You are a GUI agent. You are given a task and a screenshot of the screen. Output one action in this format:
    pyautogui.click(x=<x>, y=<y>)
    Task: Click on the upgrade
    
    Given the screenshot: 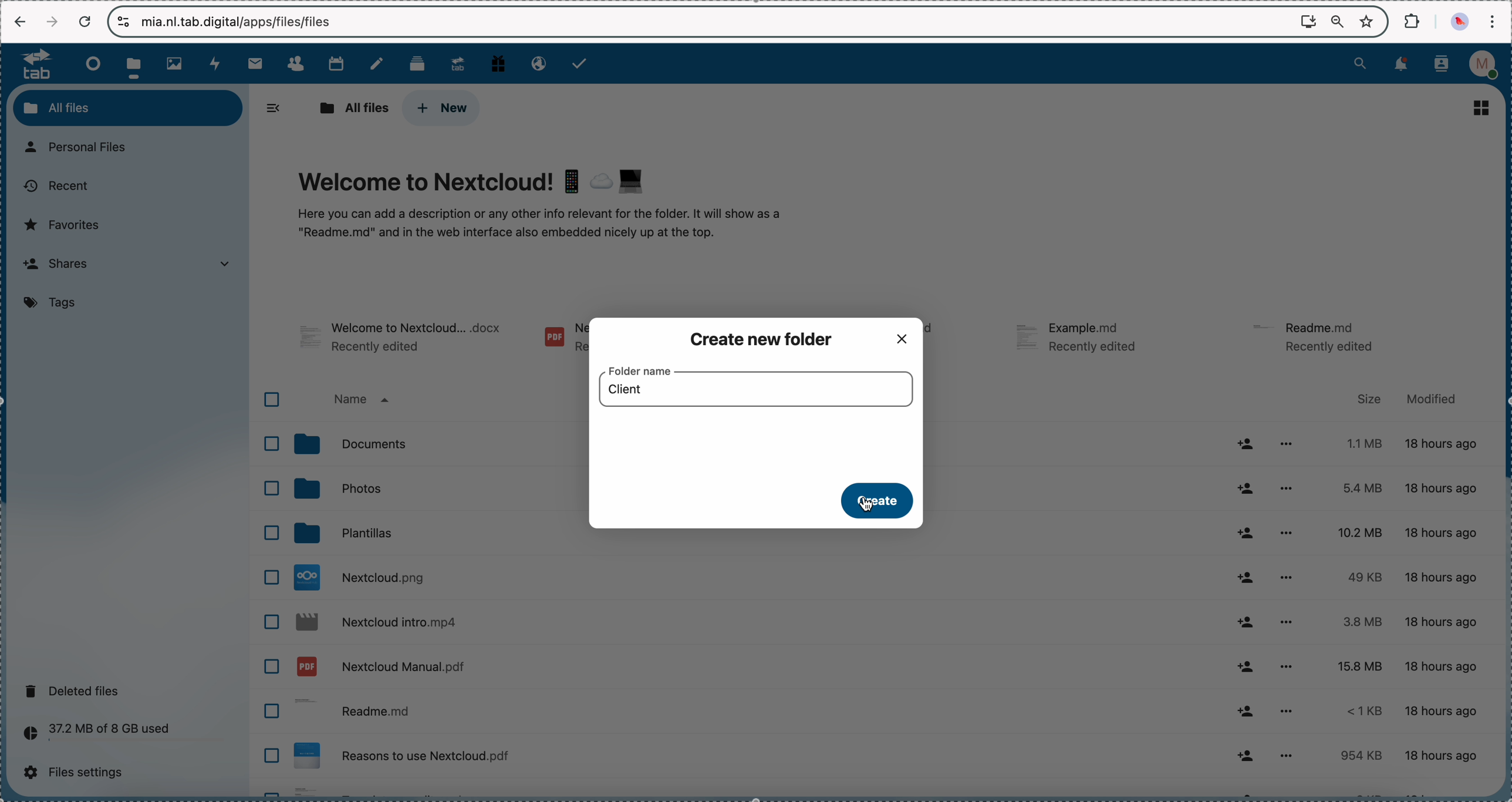 What is the action you would take?
    pyautogui.click(x=458, y=63)
    